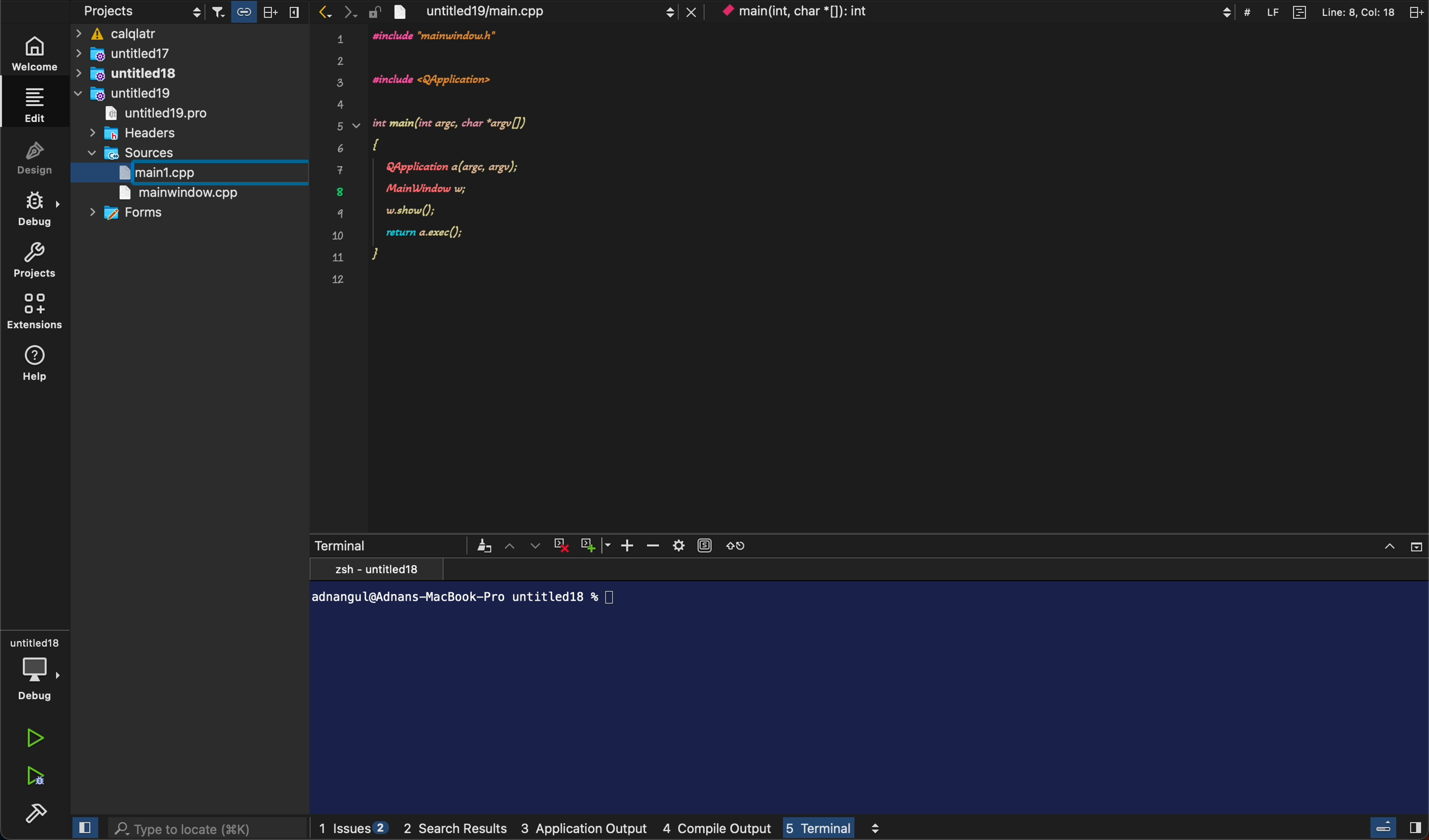 This screenshot has height=840, width=1429. What do you see at coordinates (41, 262) in the screenshot?
I see `project` at bounding box center [41, 262].